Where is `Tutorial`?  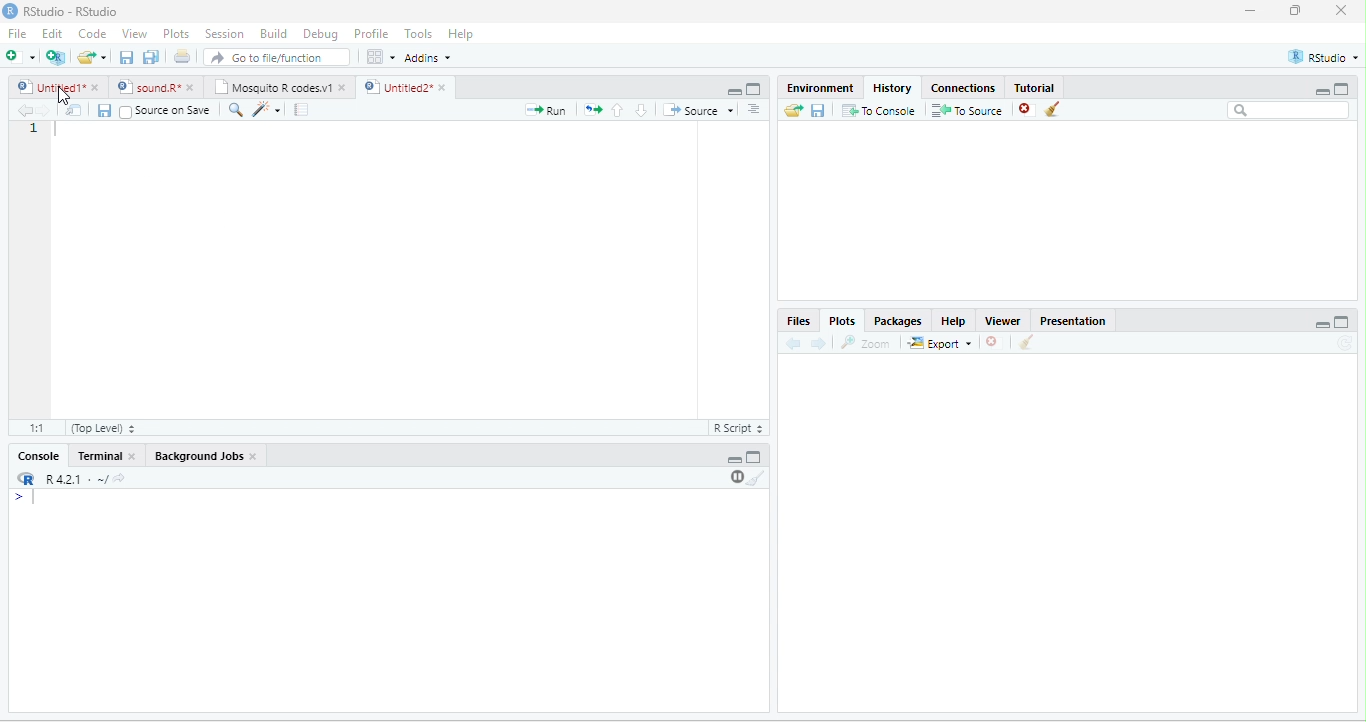
Tutorial is located at coordinates (1035, 88).